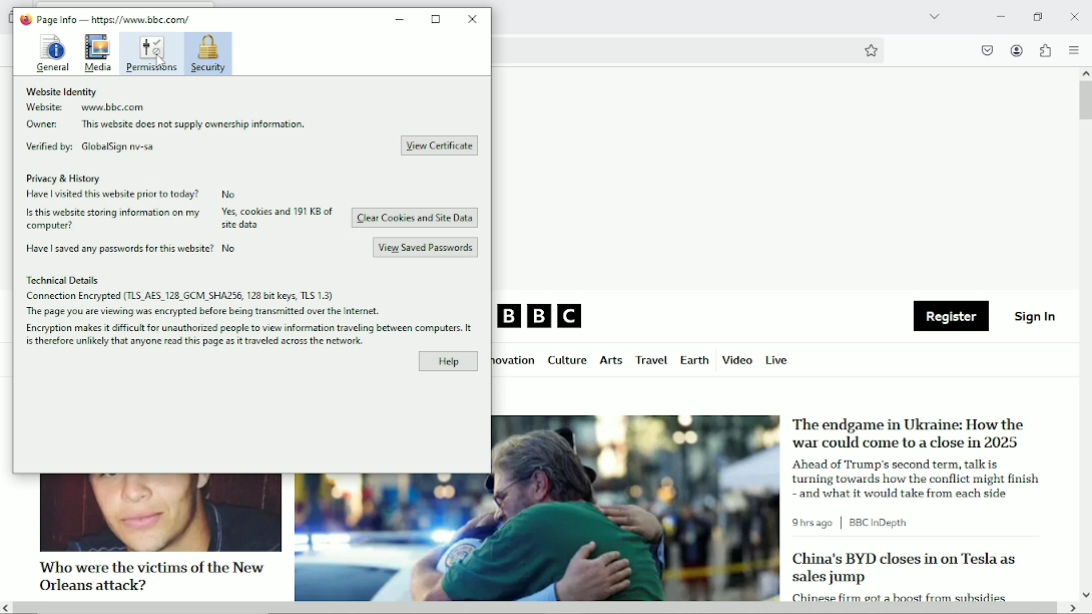  Describe the element at coordinates (210, 310) in the screenshot. I see `The page you are viewing was encrypted before being transmitted over the internet.` at that location.